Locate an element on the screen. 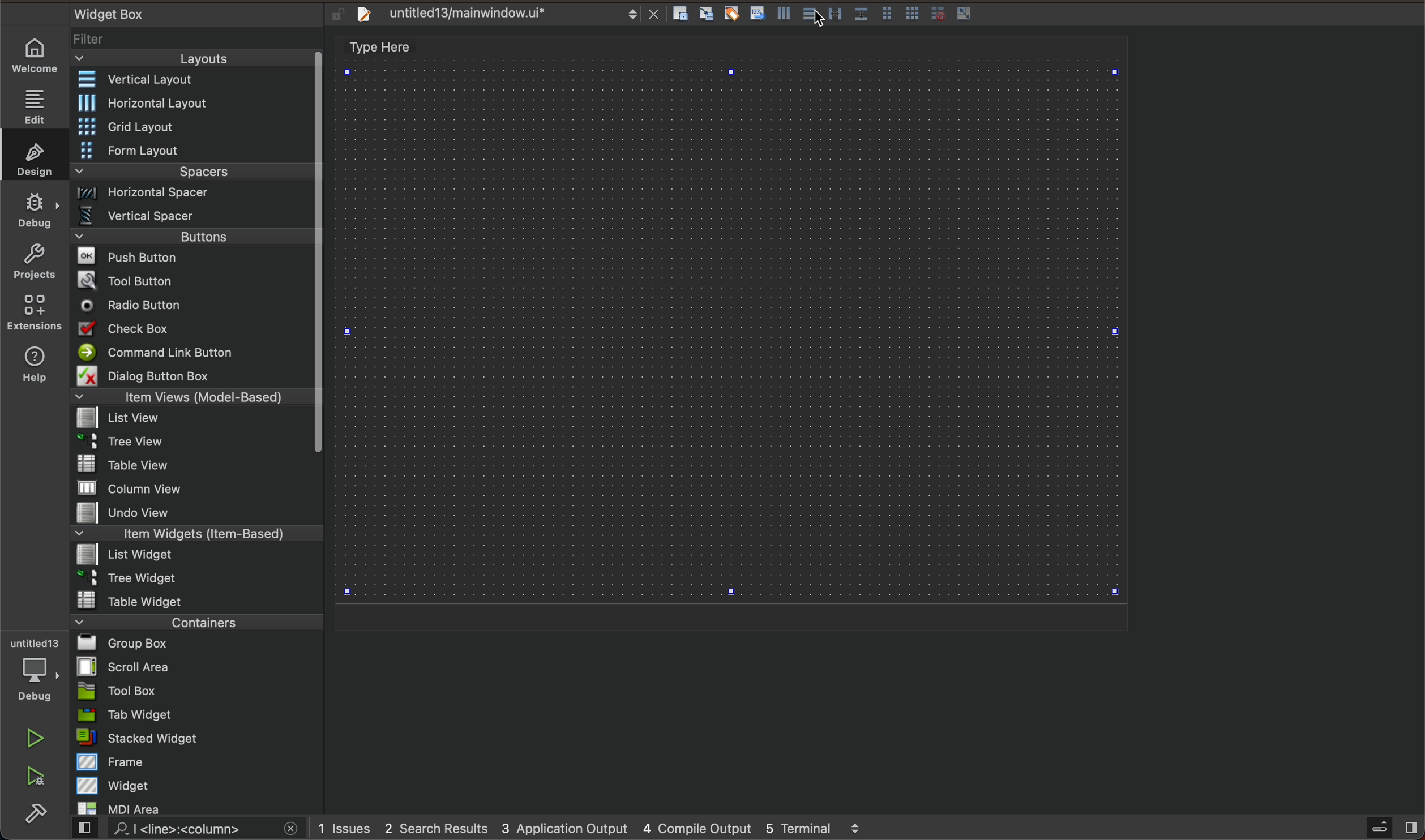  text is located at coordinates (102, 11).